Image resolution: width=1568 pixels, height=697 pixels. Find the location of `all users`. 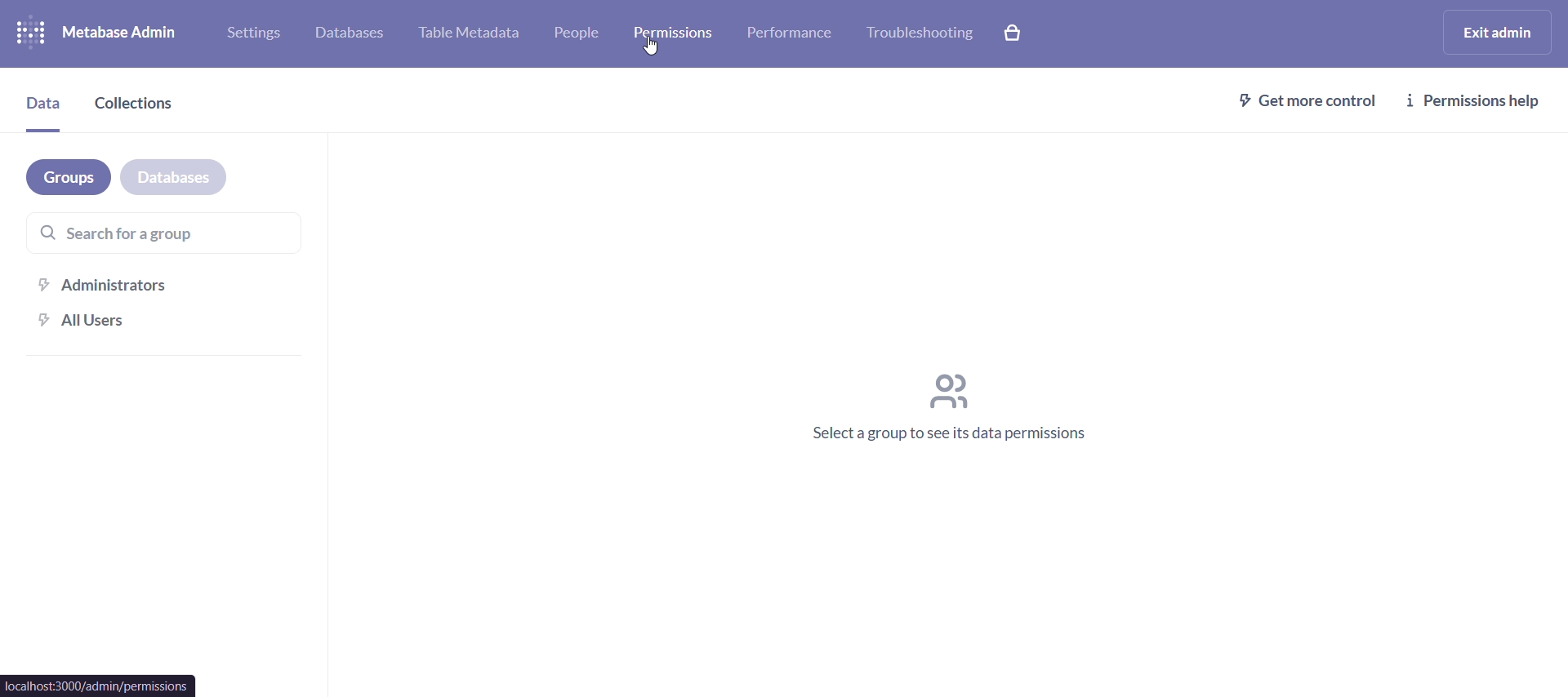

all users is located at coordinates (169, 331).